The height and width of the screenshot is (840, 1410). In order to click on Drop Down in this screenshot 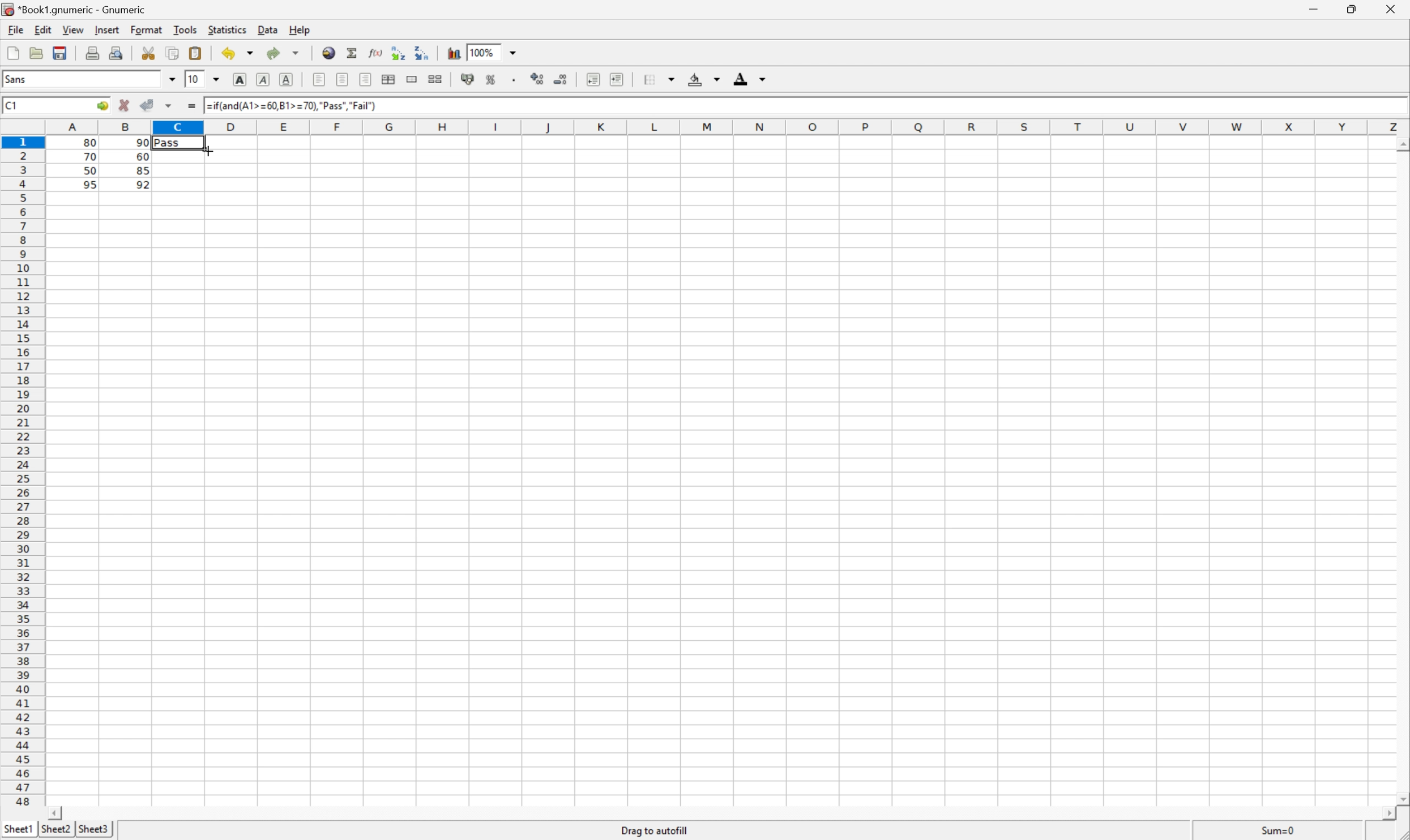, I will do `click(173, 80)`.